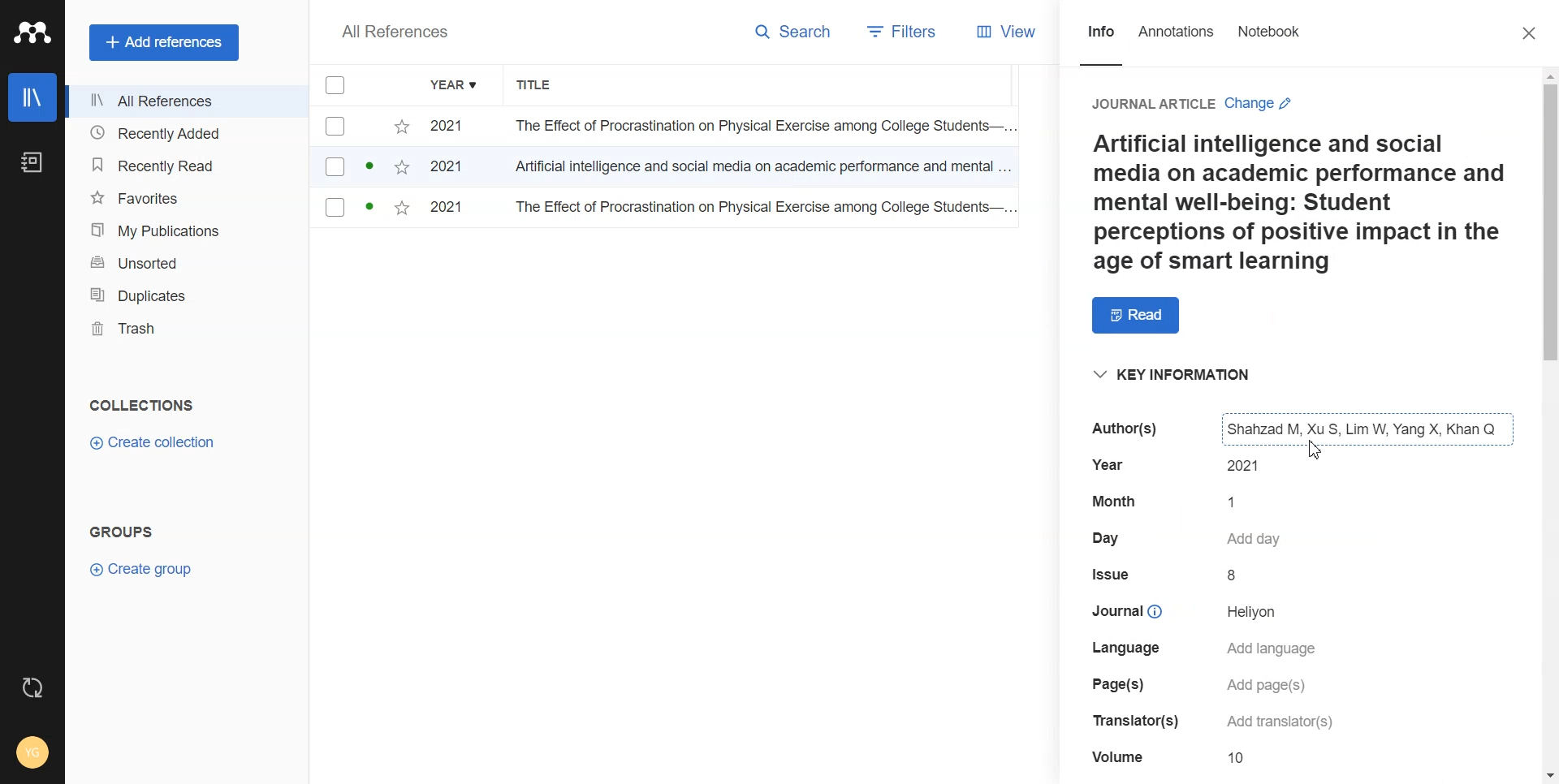 This screenshot has height=784, width=1559. I want to click on The Effect of Procrastination on Physical Exercise among College Students..., so click(762, 209).